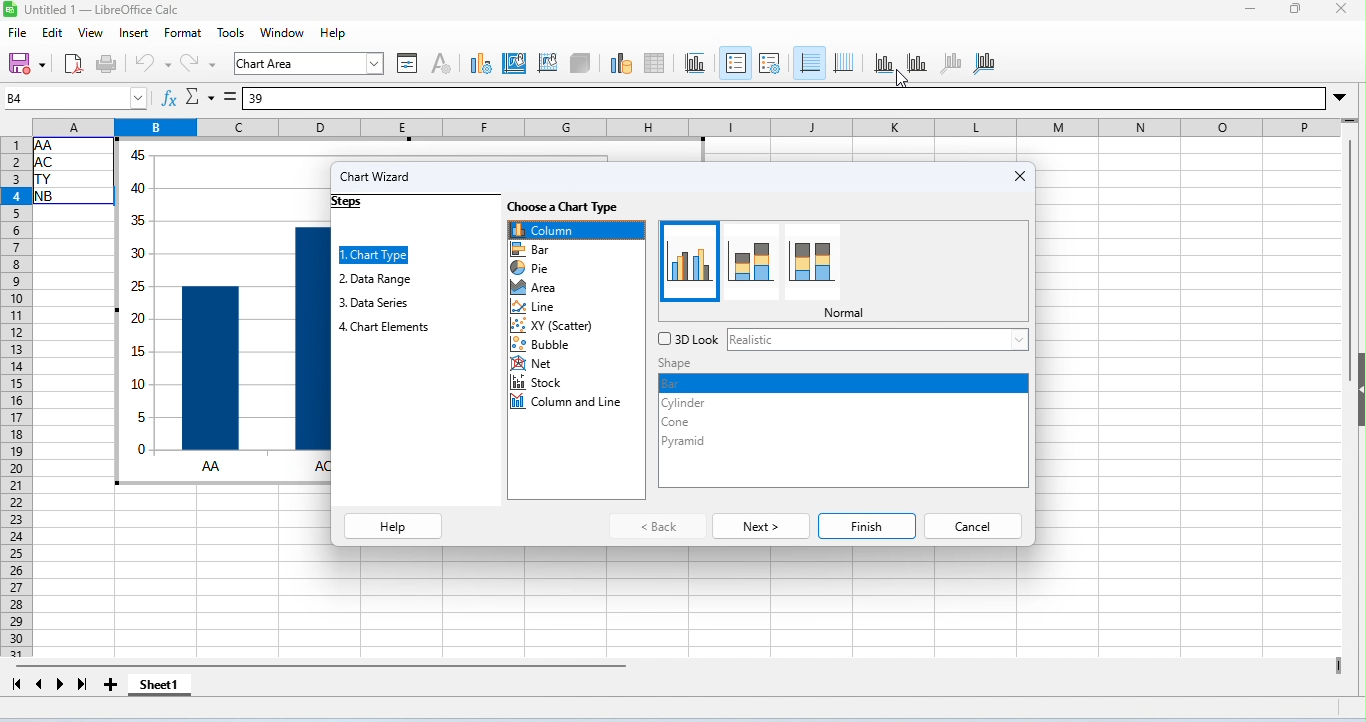 The height and width of the screenshot is (722, 1366). What do you see at coordinates (517, 63) in the screenshot?
I see `chart area` at bounding box center [517, 63].